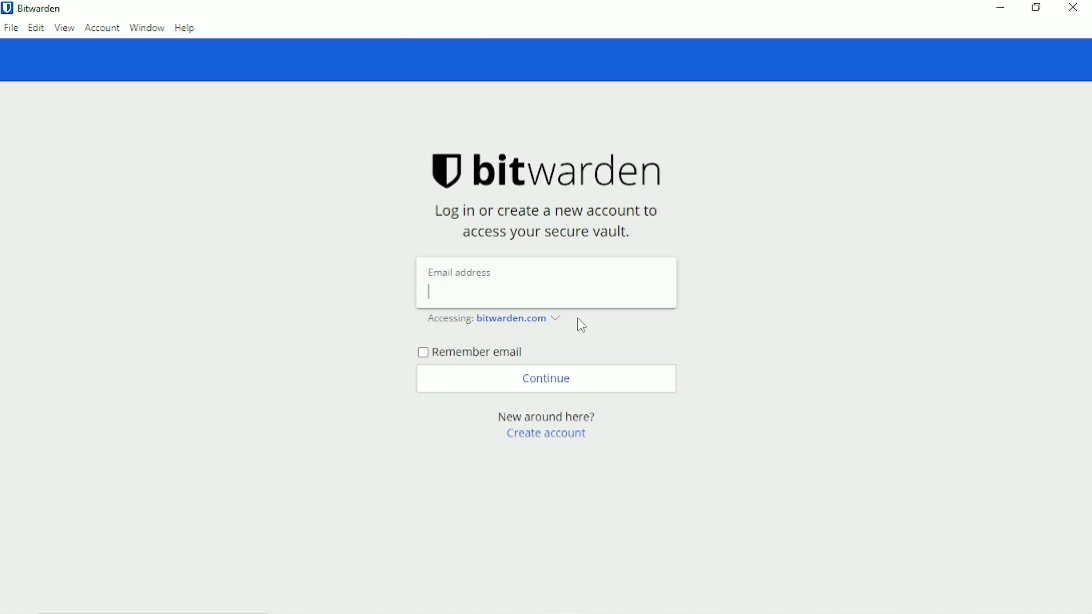 The height and width of the screenshot is (614, 1092). What do you see at coordinates (587, 326) in the screenshot?
I see `cursor` at bounding box center [587, 326].